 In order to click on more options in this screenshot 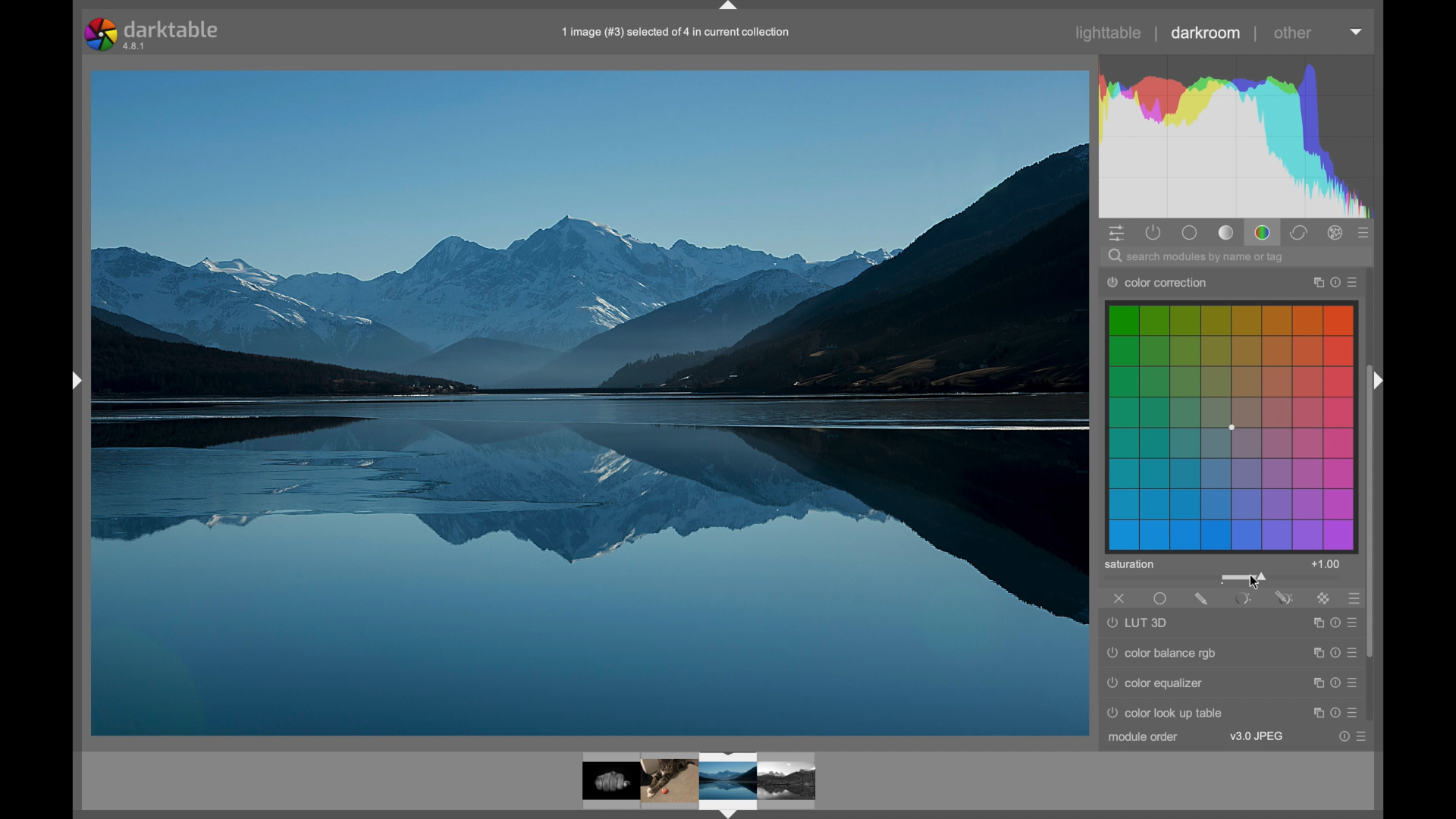, I will do `click(1355, 599)`.